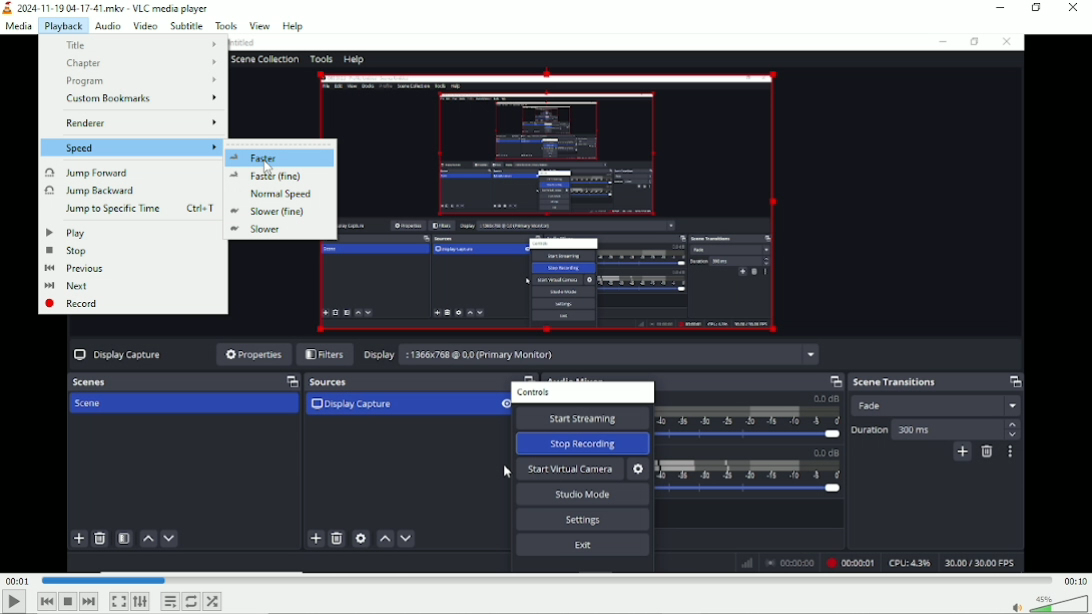  What do you see at coordinates (278, 157) in the screenshot?
I see `faster` at bounding box center [278, 157].